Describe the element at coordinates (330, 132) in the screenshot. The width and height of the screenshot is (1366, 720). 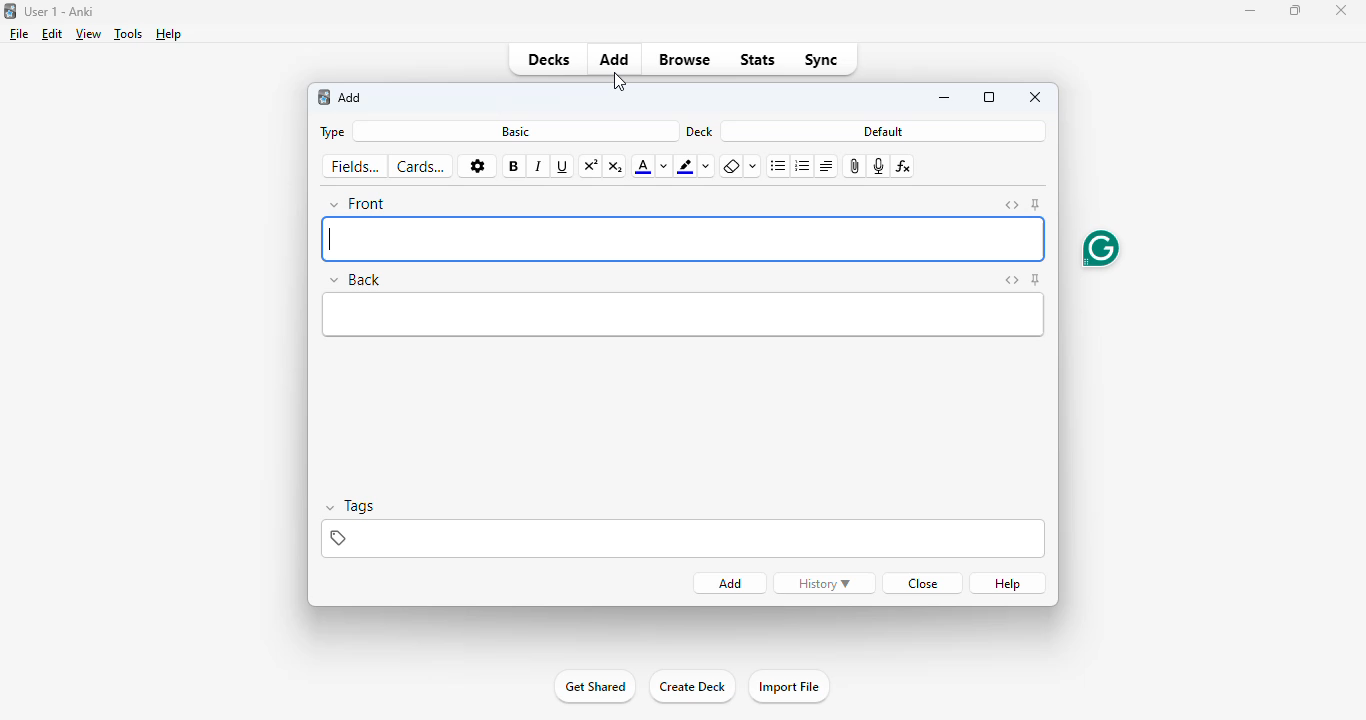
I see `type` at that location.